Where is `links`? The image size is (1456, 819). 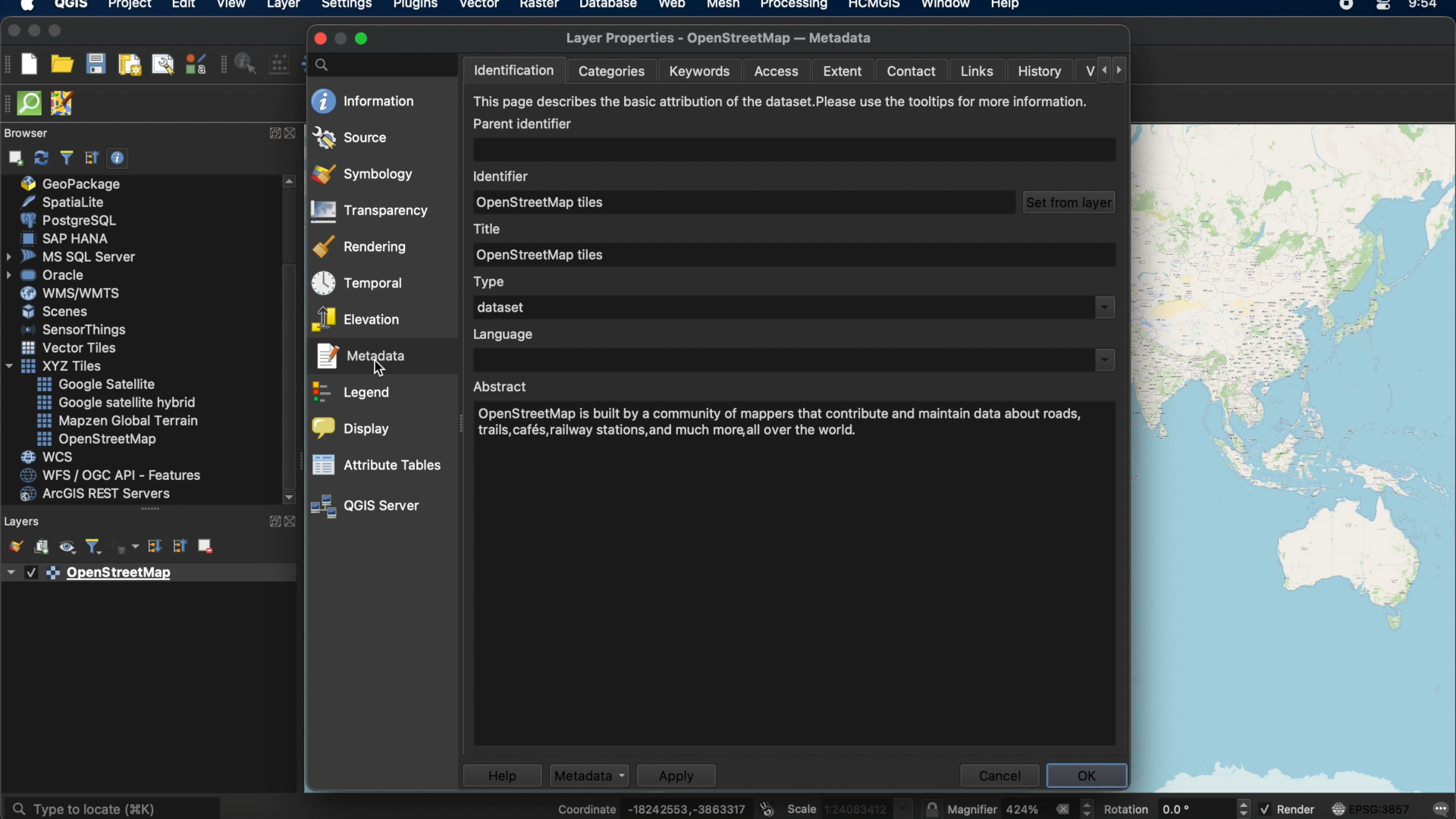
links is located at coordinates (977, 72).